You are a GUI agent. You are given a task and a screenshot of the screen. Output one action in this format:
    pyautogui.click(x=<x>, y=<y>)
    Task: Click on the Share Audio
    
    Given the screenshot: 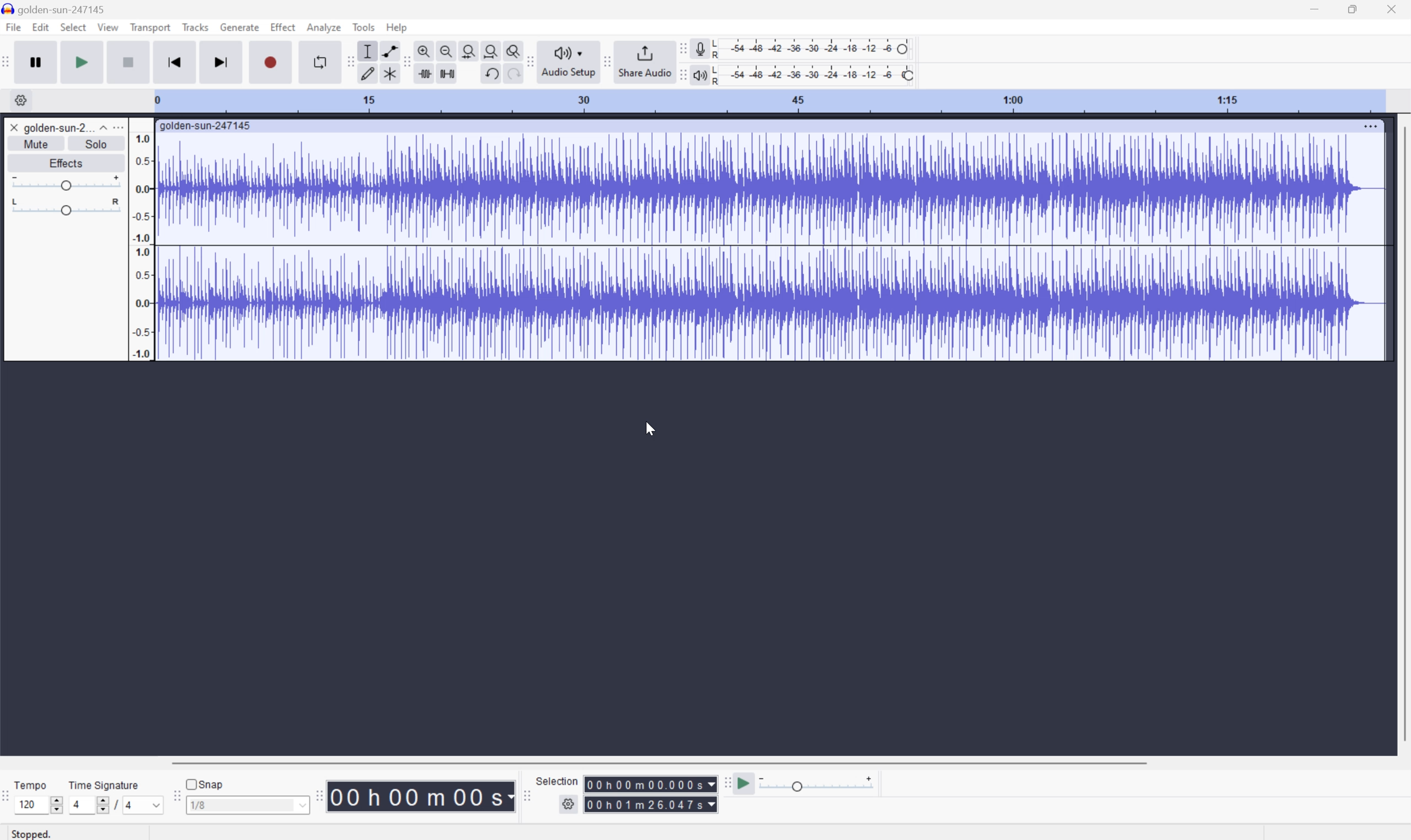 What is the action you would take?
    pyautogui.click(x=644, y=61)
    